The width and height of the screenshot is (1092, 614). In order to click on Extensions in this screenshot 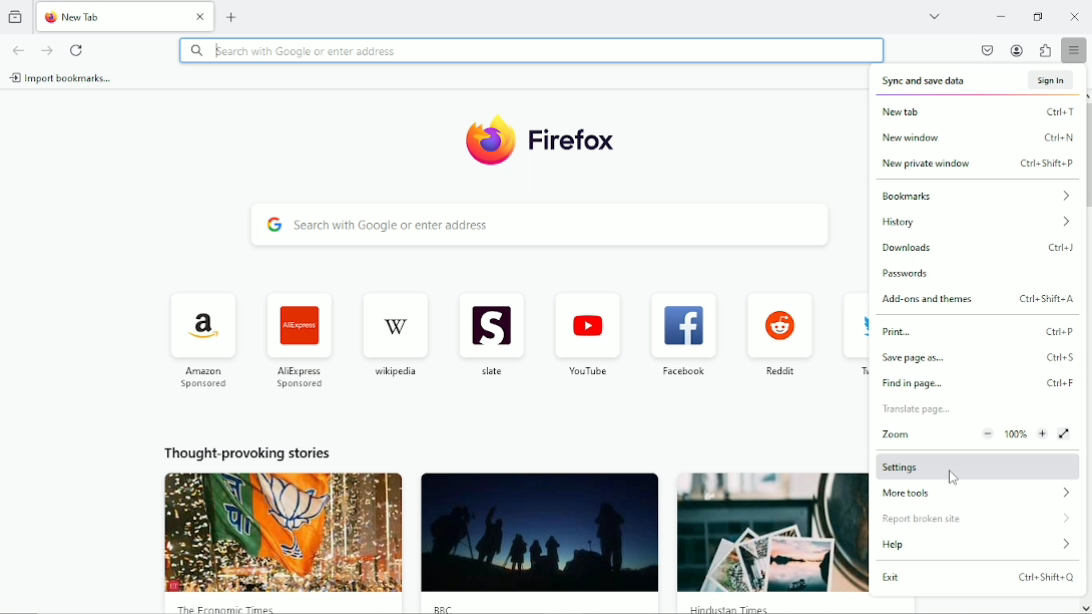, I will do `click(1044, 50)`.